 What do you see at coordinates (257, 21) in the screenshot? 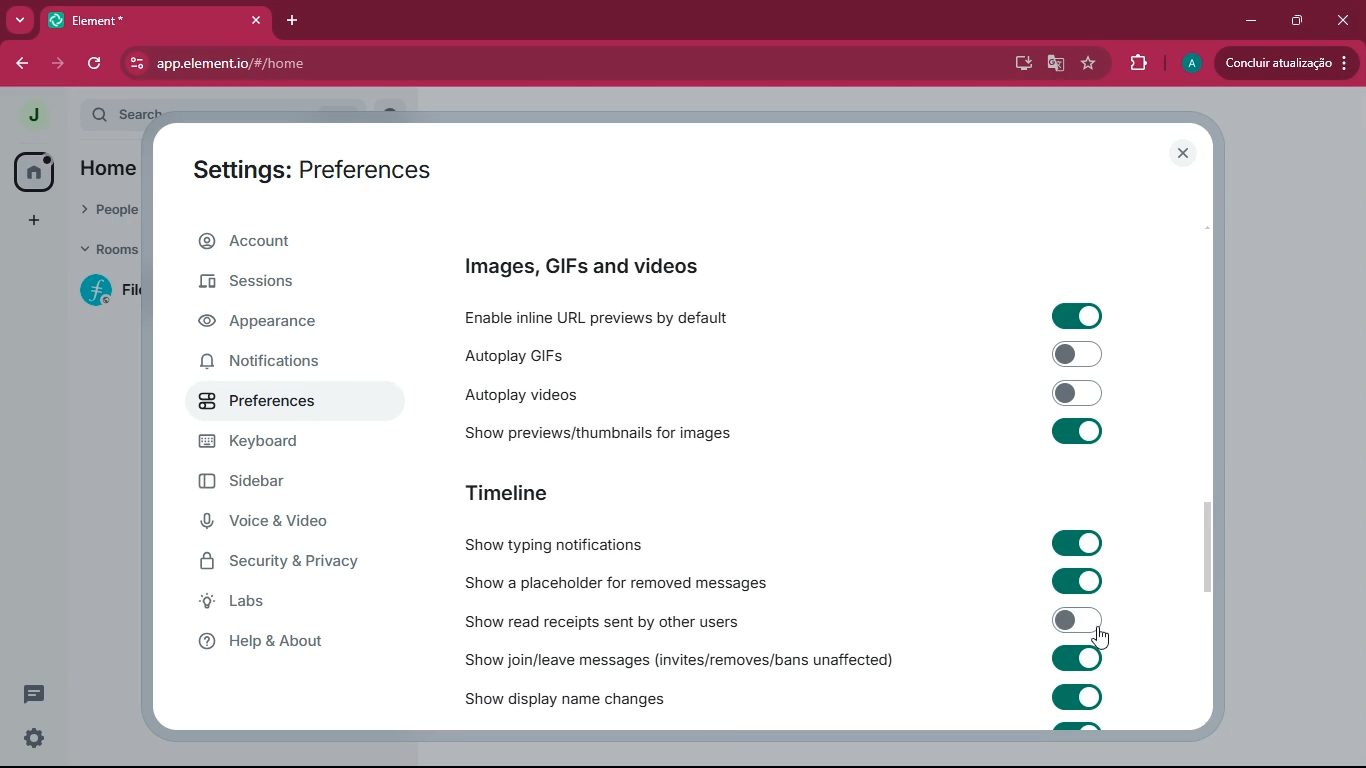
I see `close tab` at bounding box center [257, 21].